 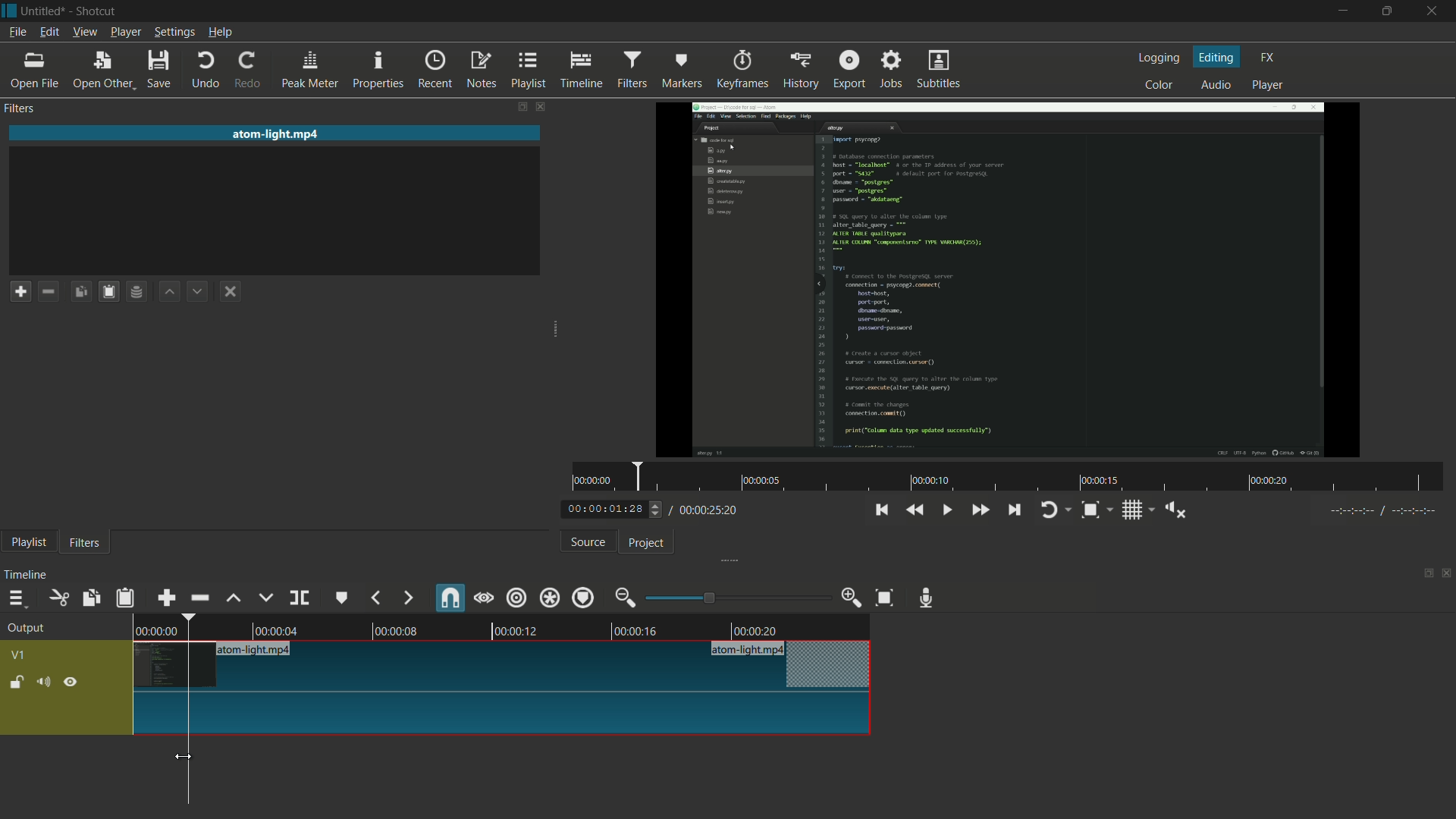 I want to click on player, so click(x=1270, y=87).